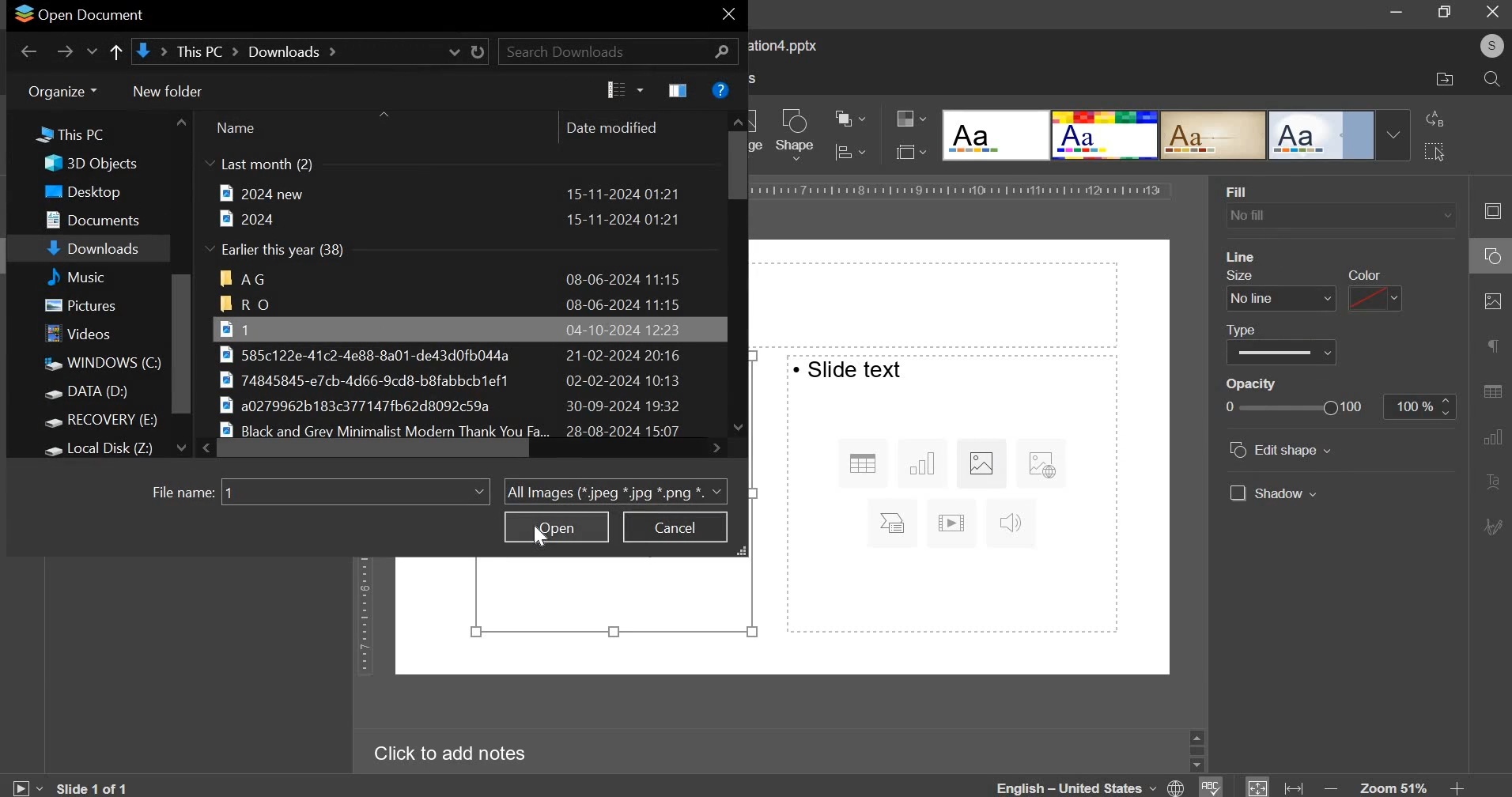  What do you see at coordinates (25, 785) in the screenshot?
I see `slide show` at bounding box center [25, 785].